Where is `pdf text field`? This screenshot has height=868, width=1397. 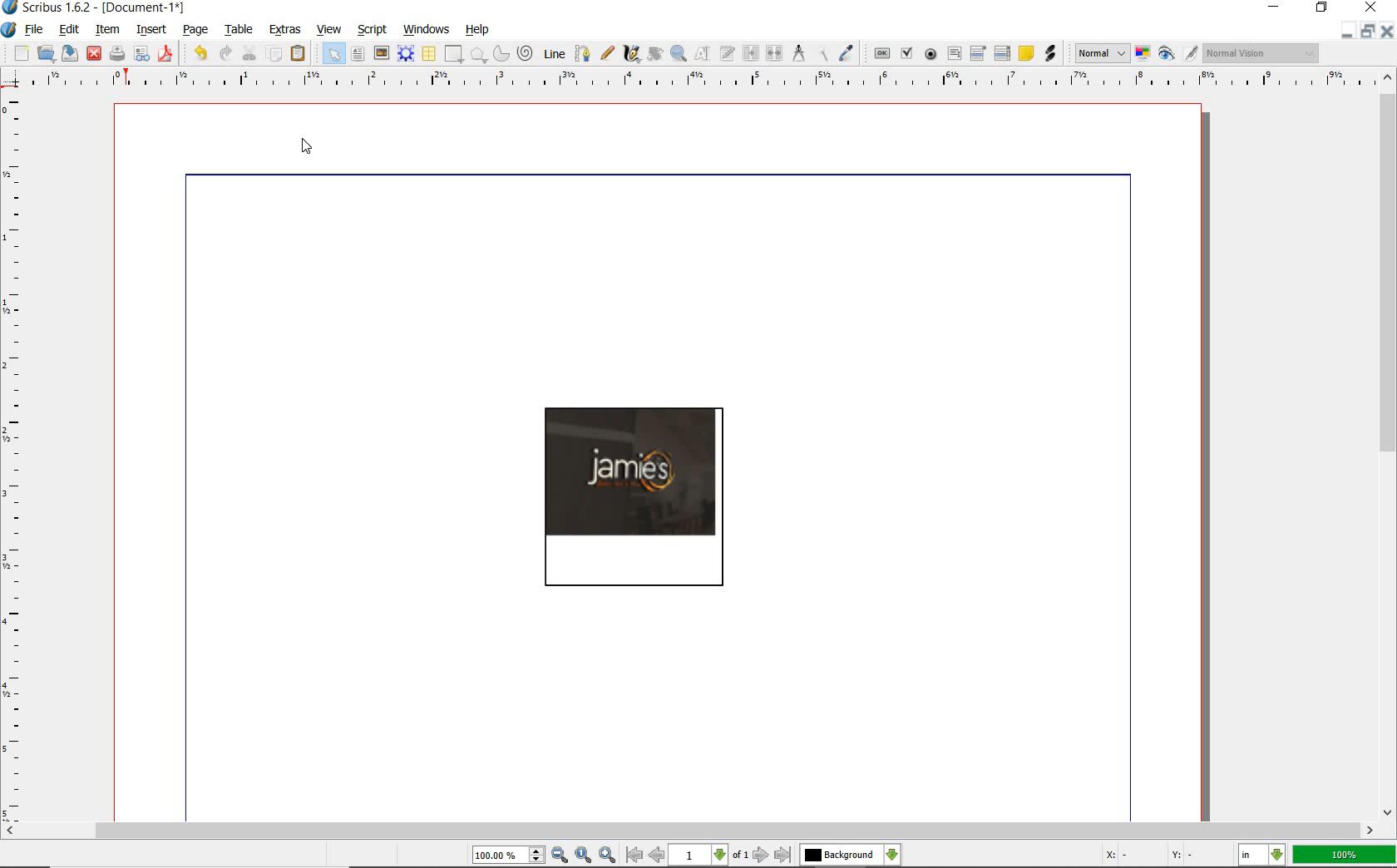 pdf text field is located at coordinates (953, 53).